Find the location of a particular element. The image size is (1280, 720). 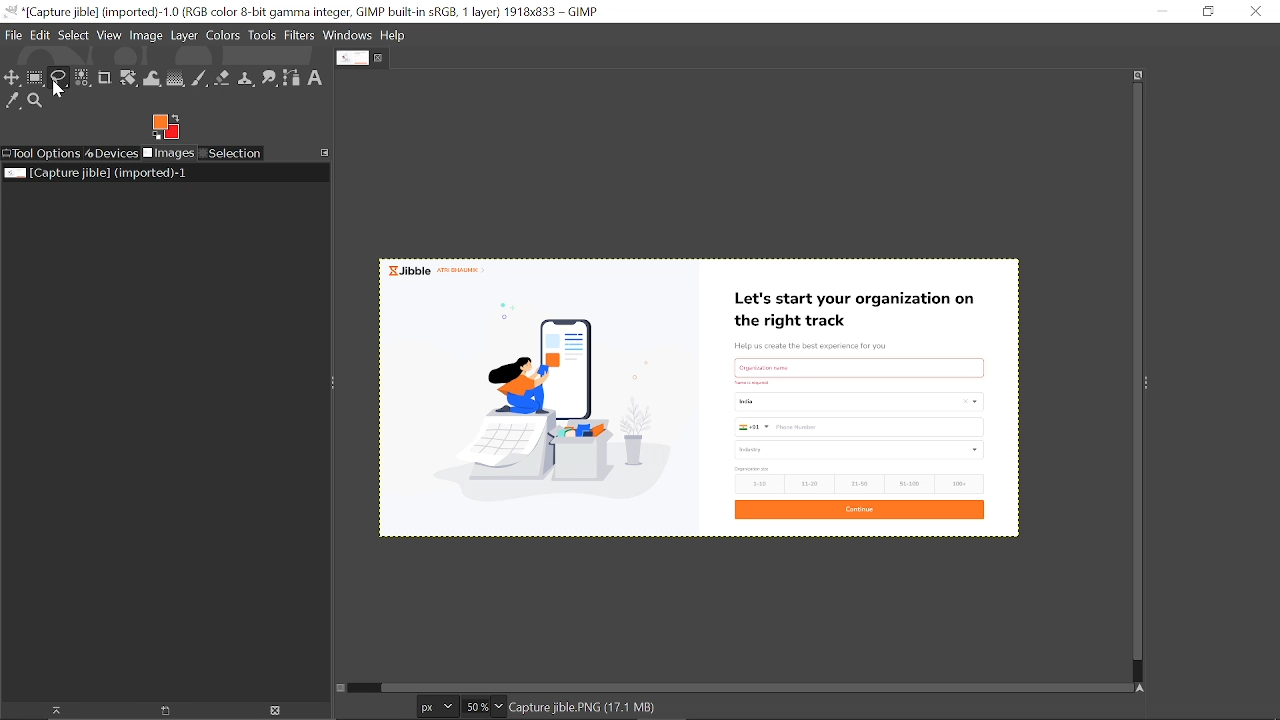

Help is located at coordinates (394, 36).